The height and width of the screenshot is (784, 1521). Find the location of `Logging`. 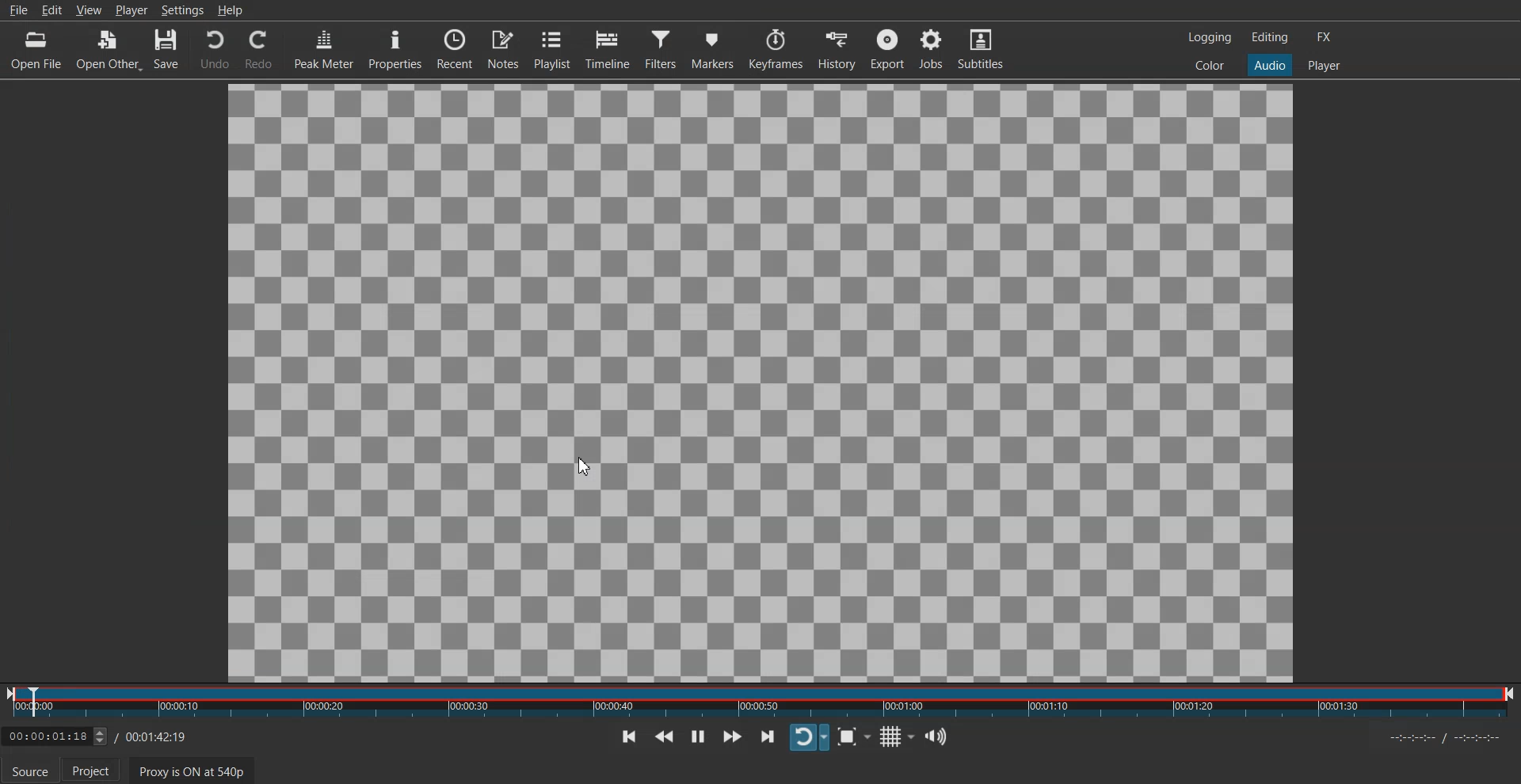

Logging is located at coordinates (1209, 36).